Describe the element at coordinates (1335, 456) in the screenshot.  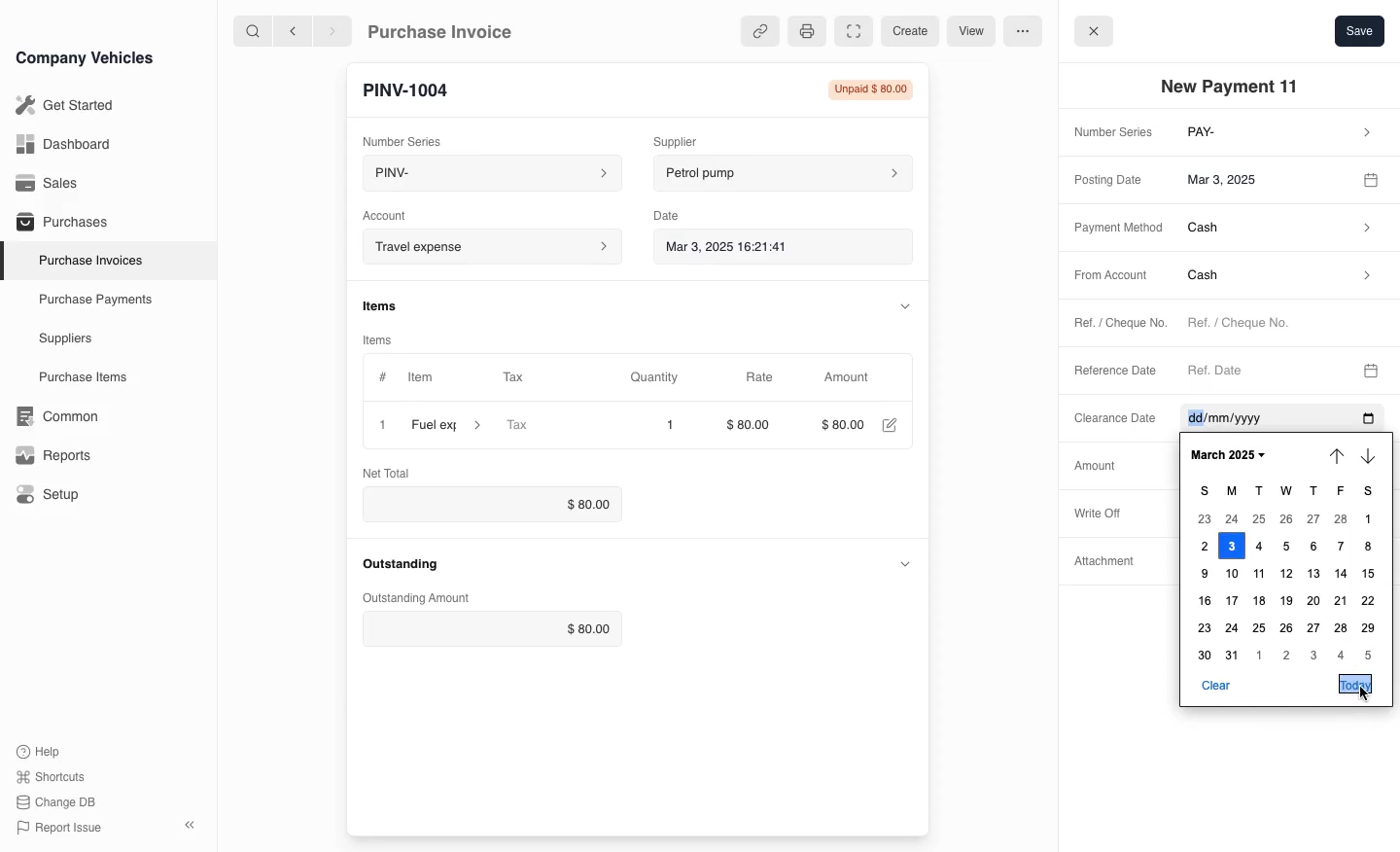
I see `previous month` at that location.